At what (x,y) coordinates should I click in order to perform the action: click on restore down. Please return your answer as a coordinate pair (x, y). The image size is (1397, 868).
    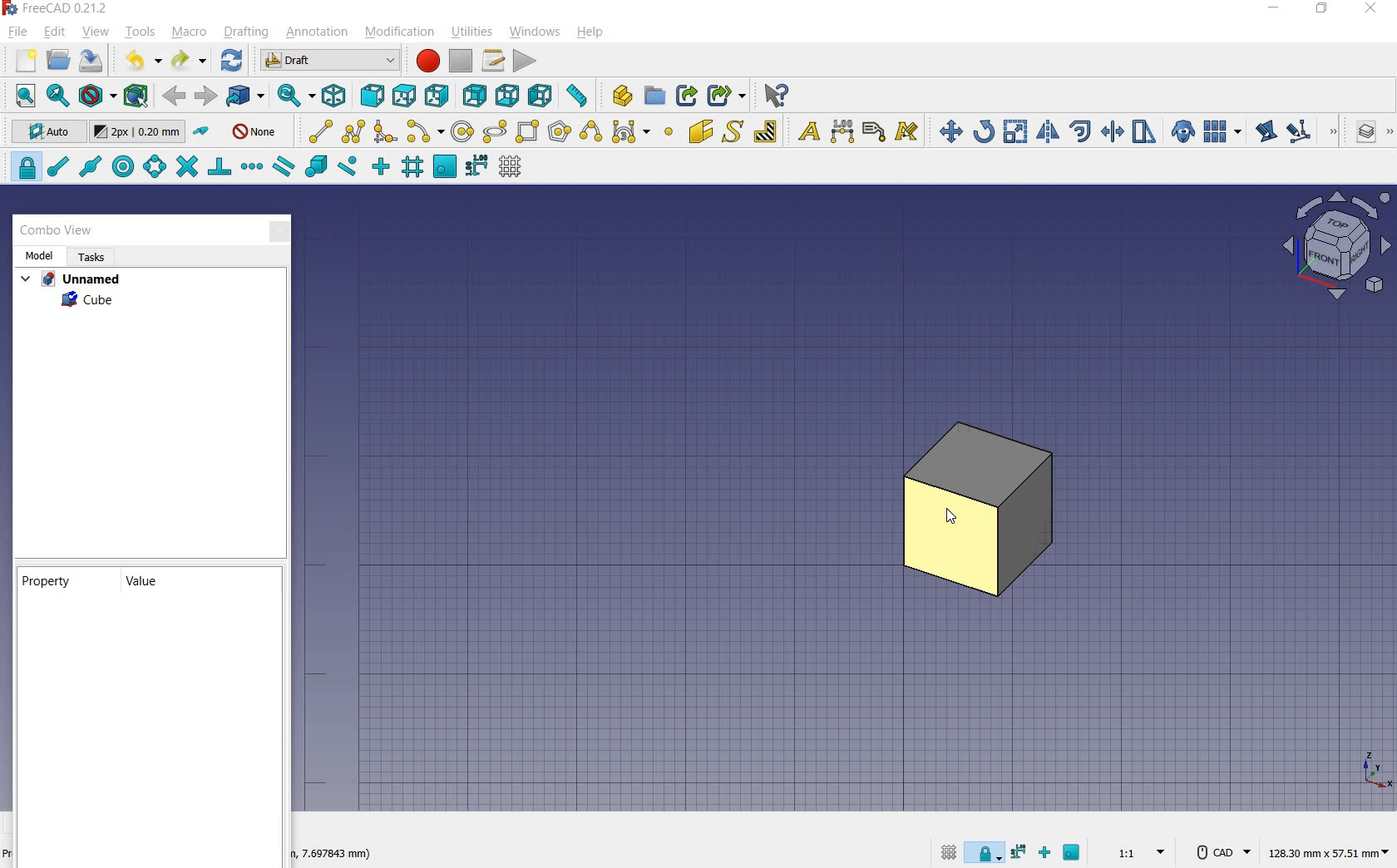
    Looking at the image, I should click on (1324, 10).